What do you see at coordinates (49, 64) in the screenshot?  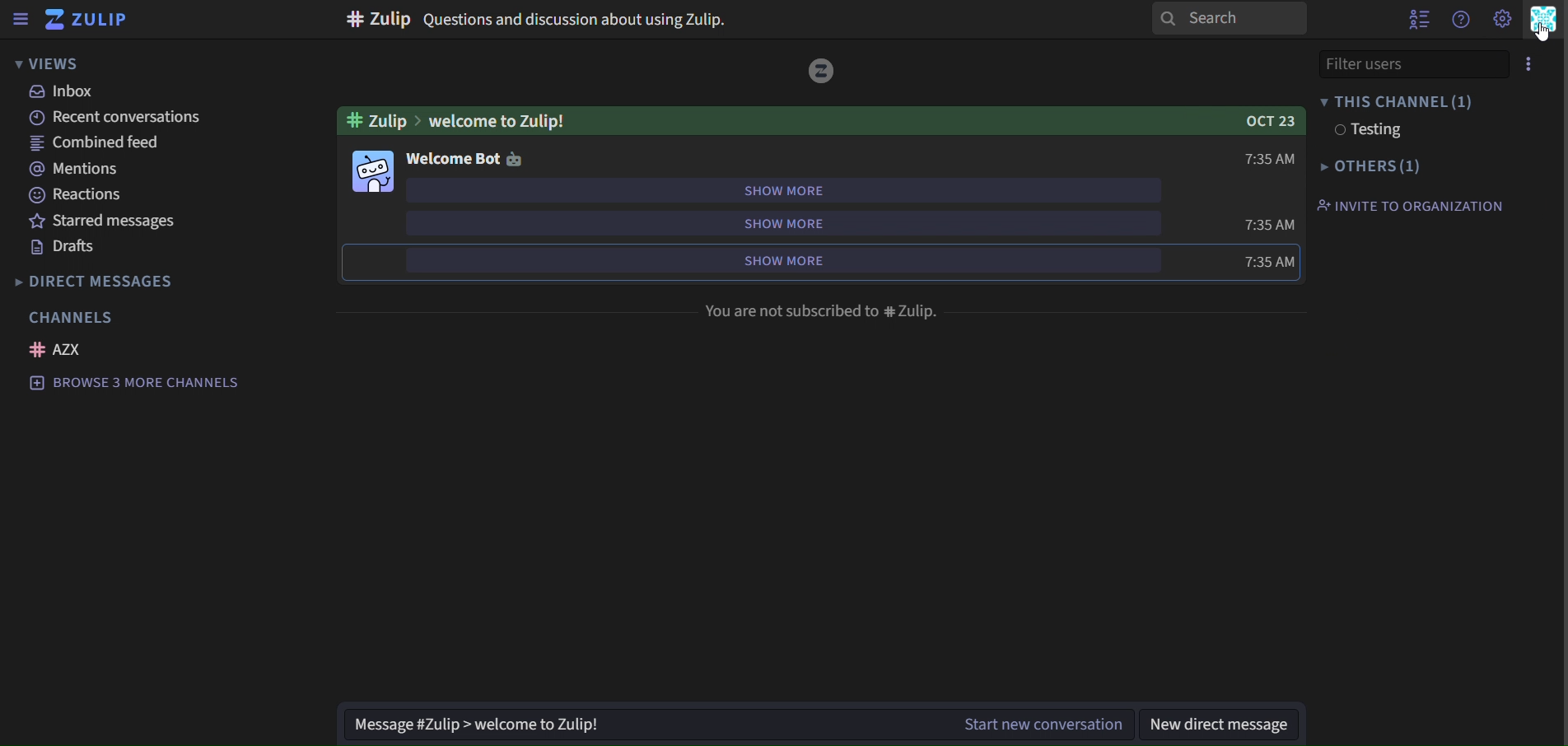 I see `views` at bounding box center [49, 64].